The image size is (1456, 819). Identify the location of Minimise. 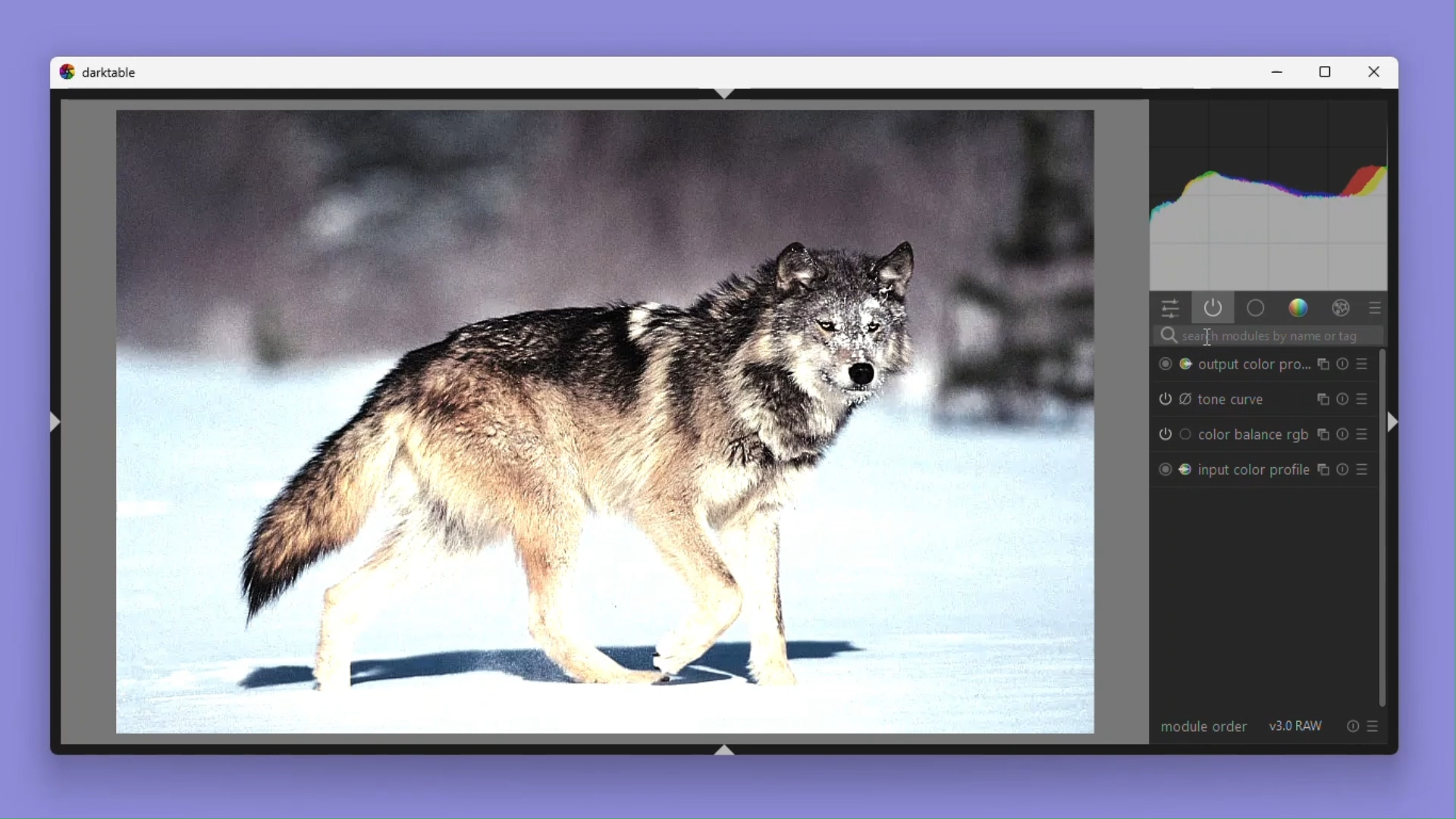
(1282, 72).